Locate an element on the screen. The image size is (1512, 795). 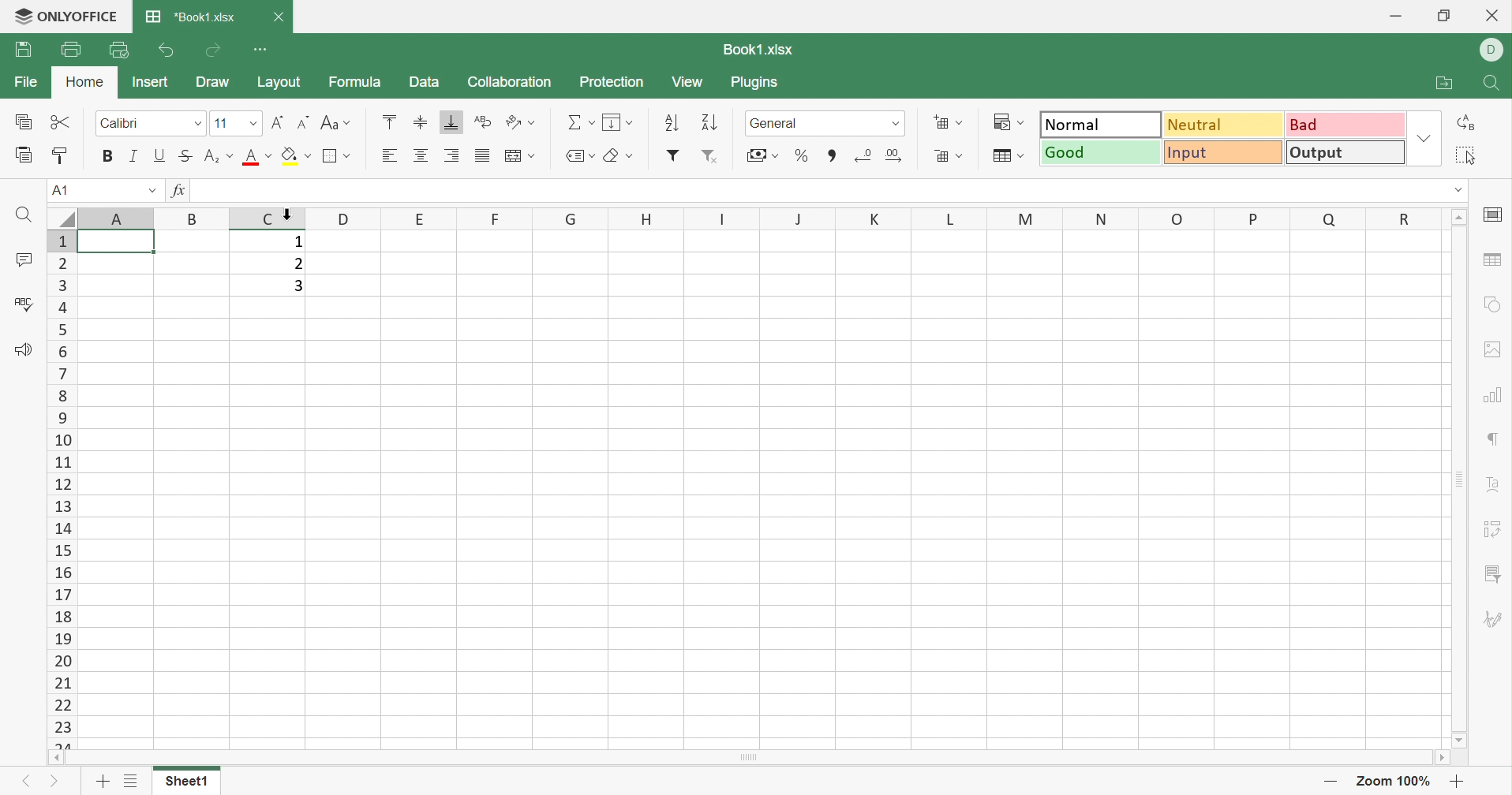
Data is located at coordinates (427, 84).